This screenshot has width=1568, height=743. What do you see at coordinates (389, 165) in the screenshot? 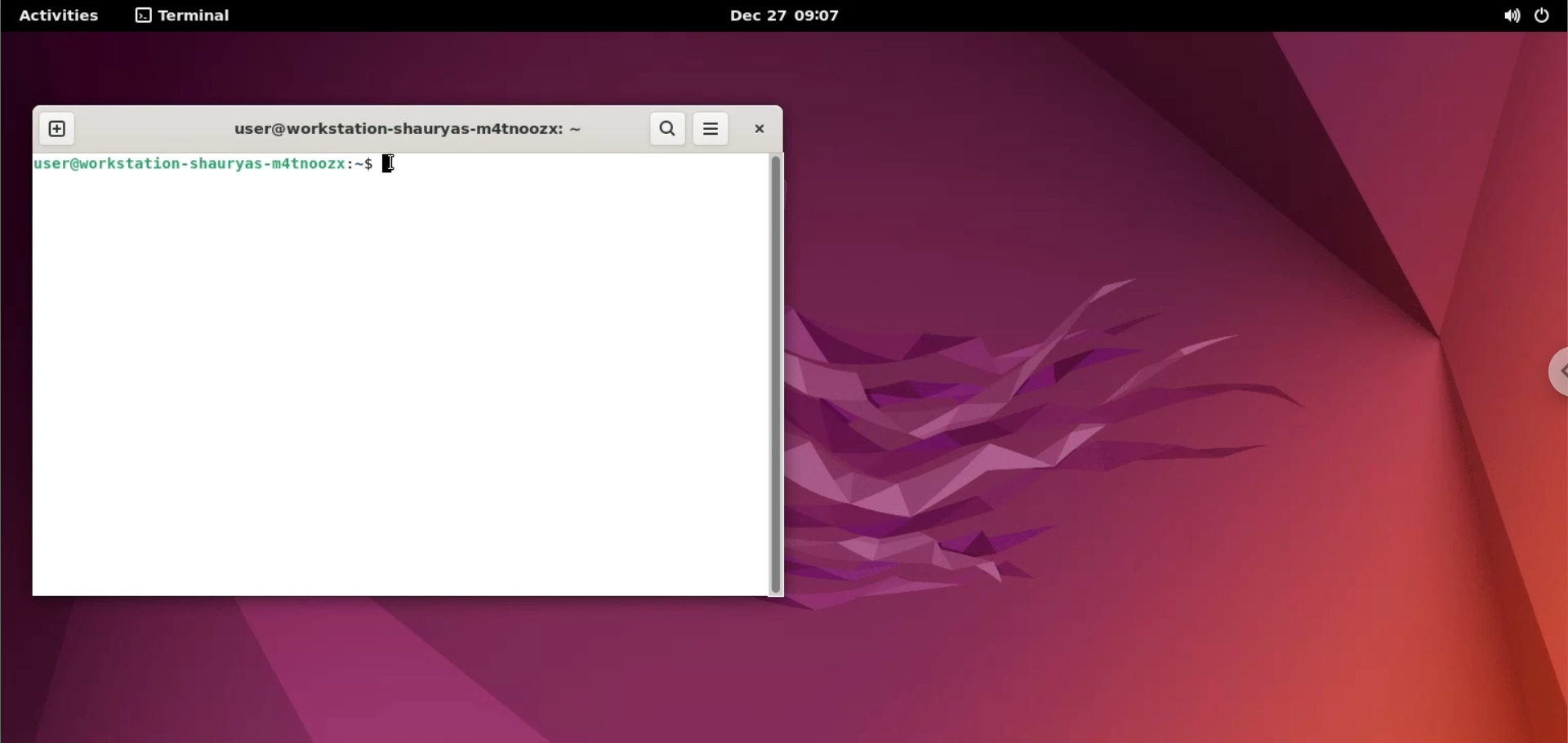
I see `cursor` at bounding box center [389, 165].